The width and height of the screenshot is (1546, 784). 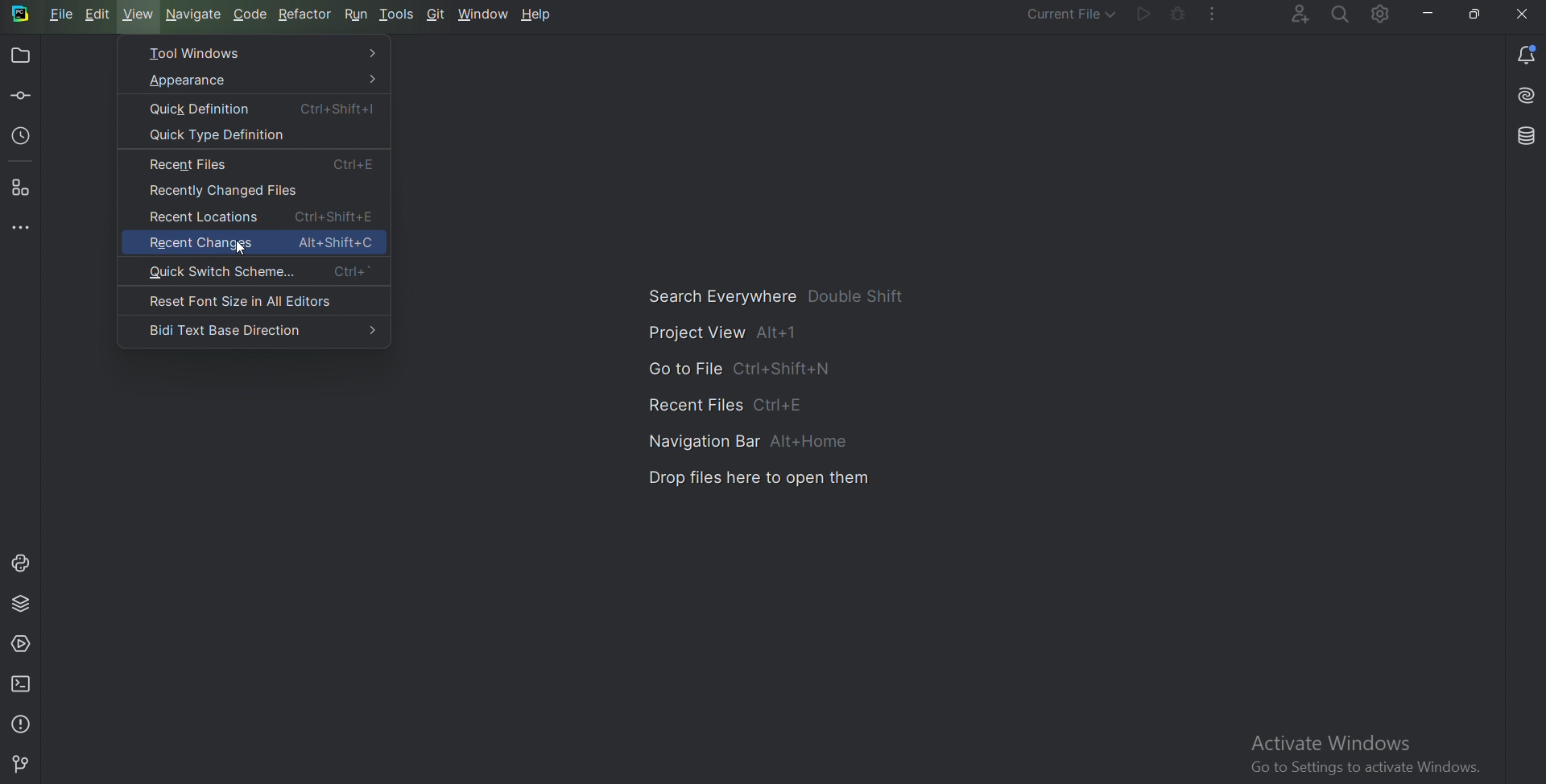 What do you see at coordinates (1523, 14) in the screenshot?
I see `Cross` at bounding box center [1523, 14].